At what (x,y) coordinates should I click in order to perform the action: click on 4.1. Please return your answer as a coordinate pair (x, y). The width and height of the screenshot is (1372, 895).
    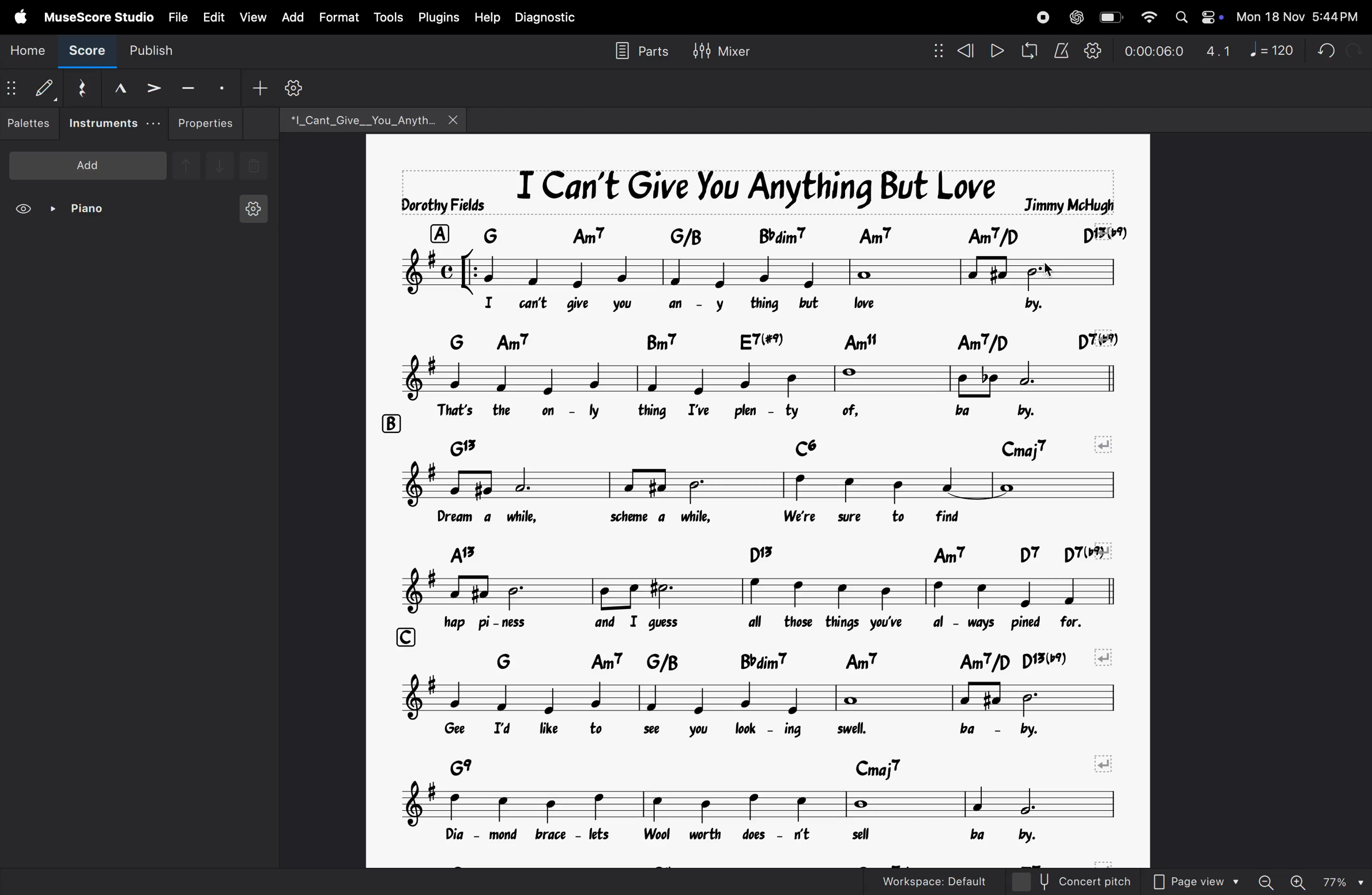
    Looking at the image, I should click on (1219, 52).